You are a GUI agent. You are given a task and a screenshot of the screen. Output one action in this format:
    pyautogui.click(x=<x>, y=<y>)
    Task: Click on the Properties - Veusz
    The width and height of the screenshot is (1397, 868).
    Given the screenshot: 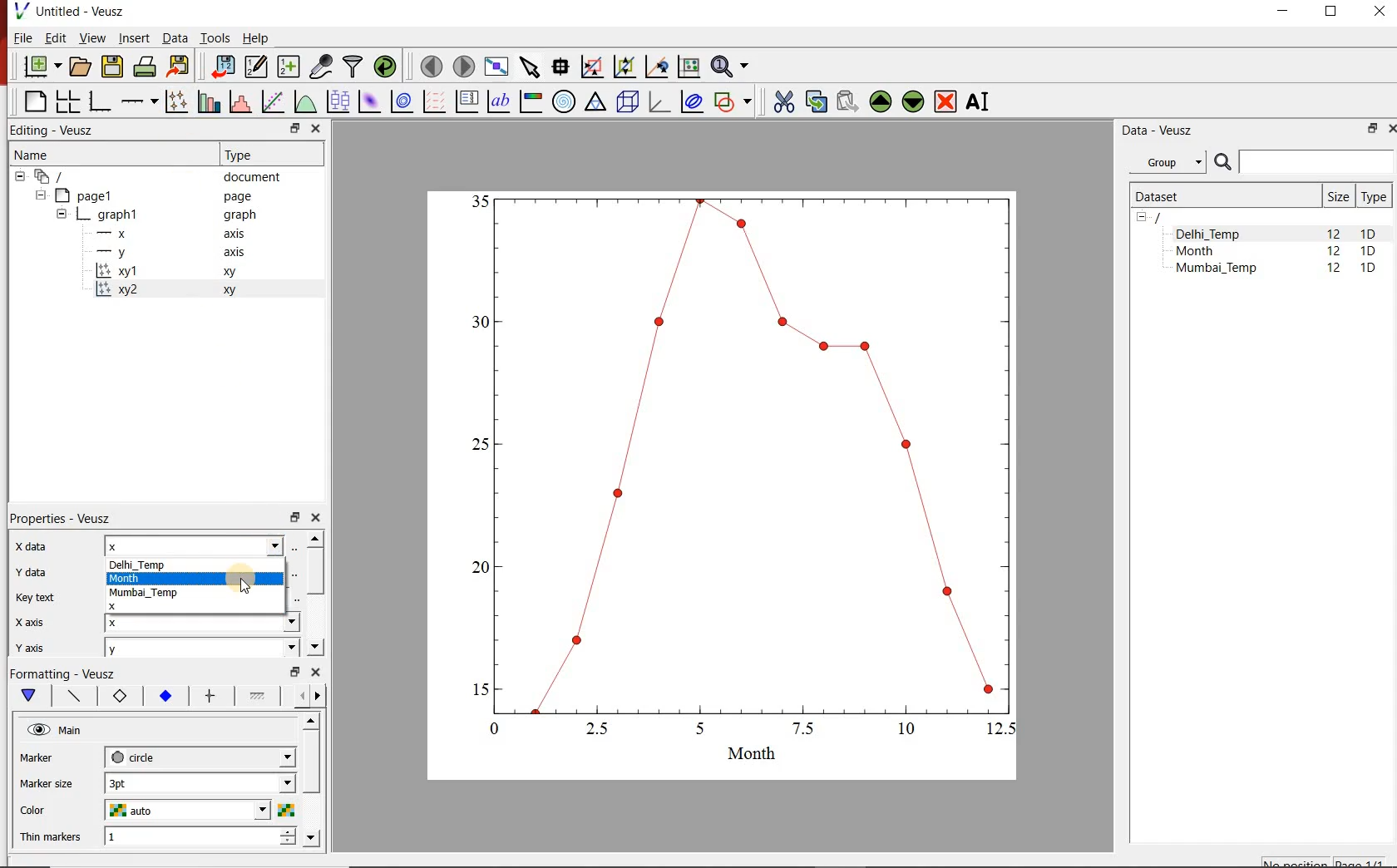 What is the action you would take?
    pyautogui.click(x=57, y=519)
    